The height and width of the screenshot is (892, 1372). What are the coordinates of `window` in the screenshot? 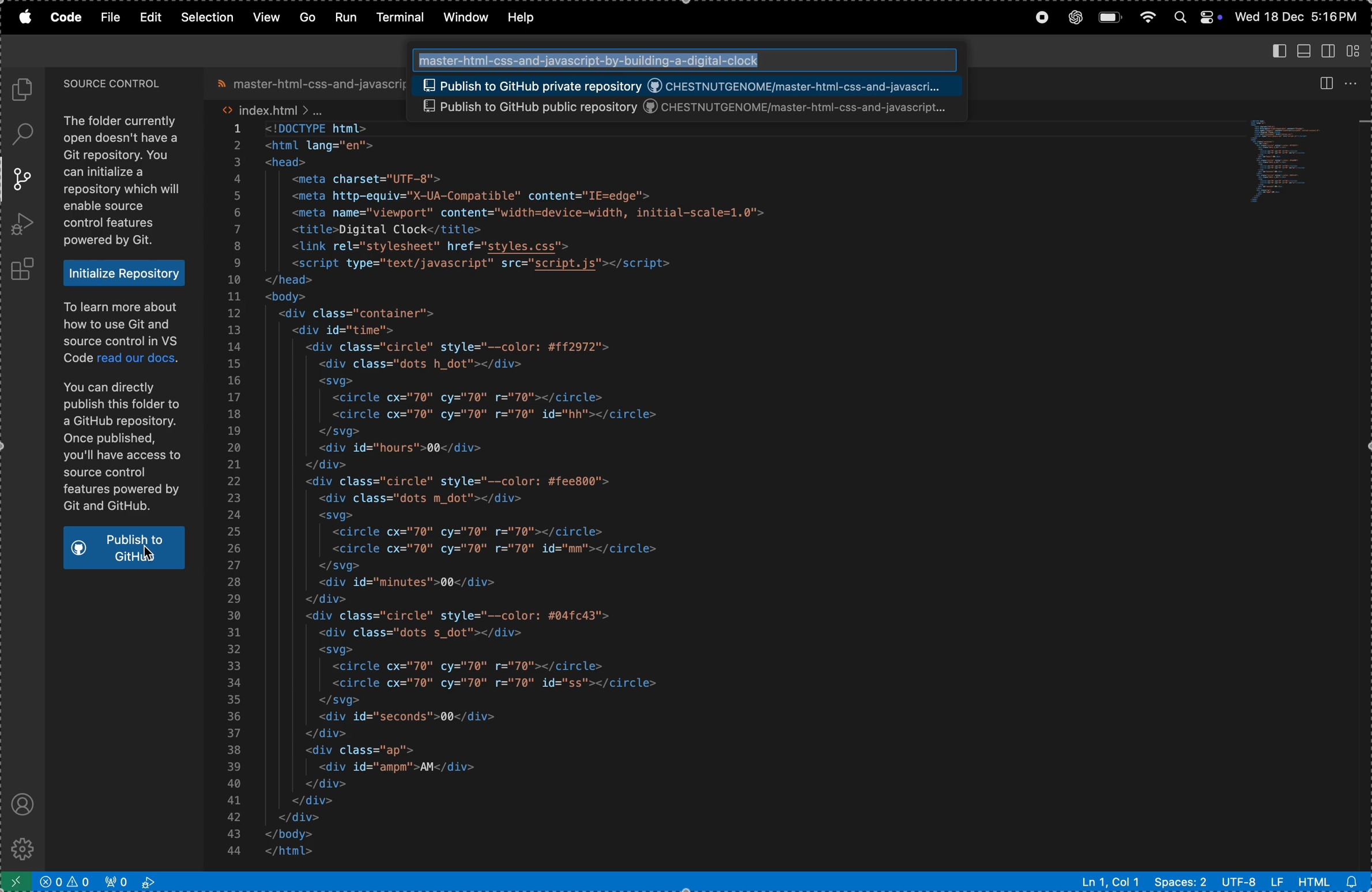 It's located at (462, 18).